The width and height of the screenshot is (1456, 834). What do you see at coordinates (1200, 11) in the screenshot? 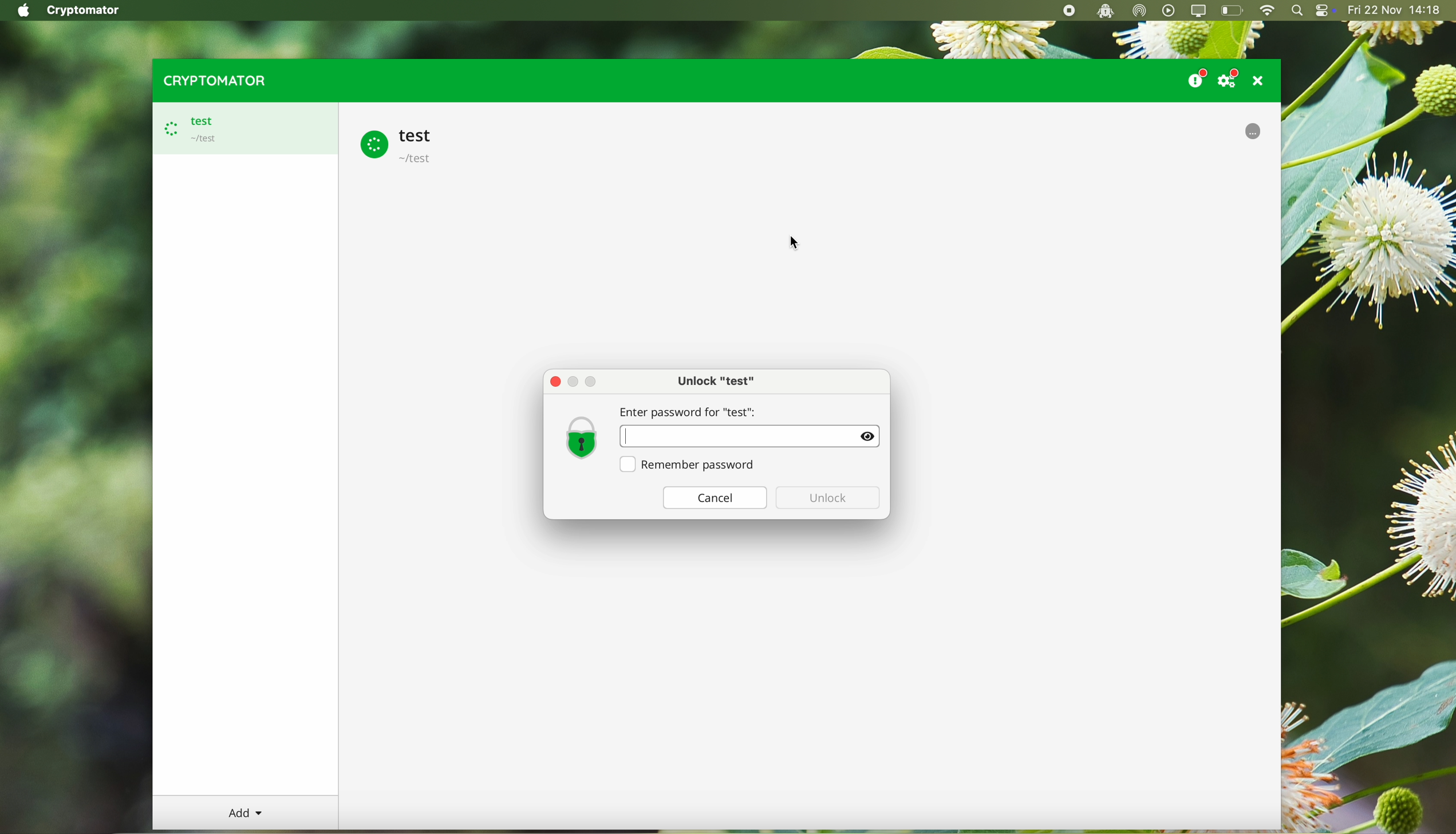
I see `screen` at bounding box center [1200, 11].